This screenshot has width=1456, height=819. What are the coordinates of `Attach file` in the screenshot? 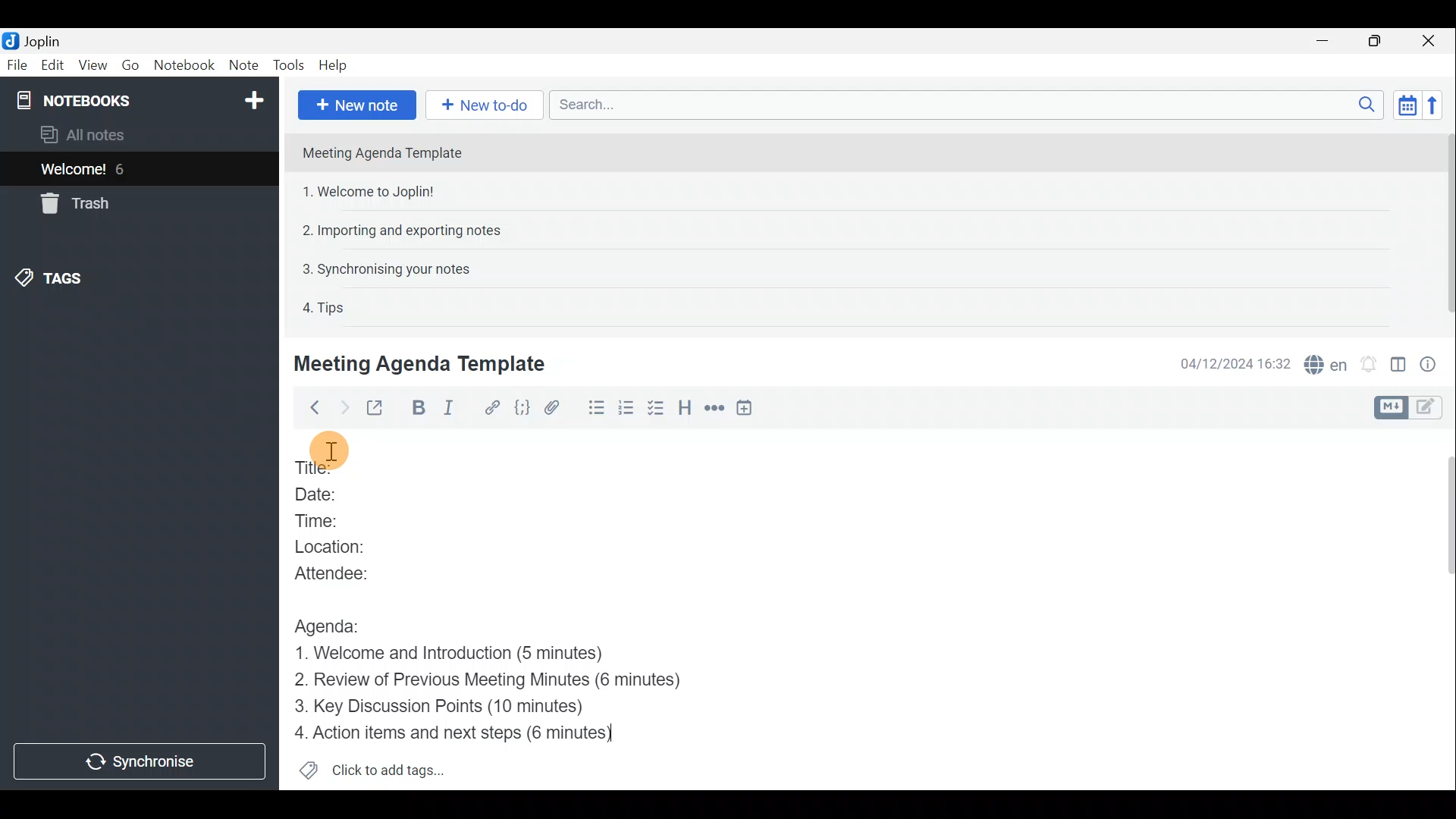 It's located at (559, 408).